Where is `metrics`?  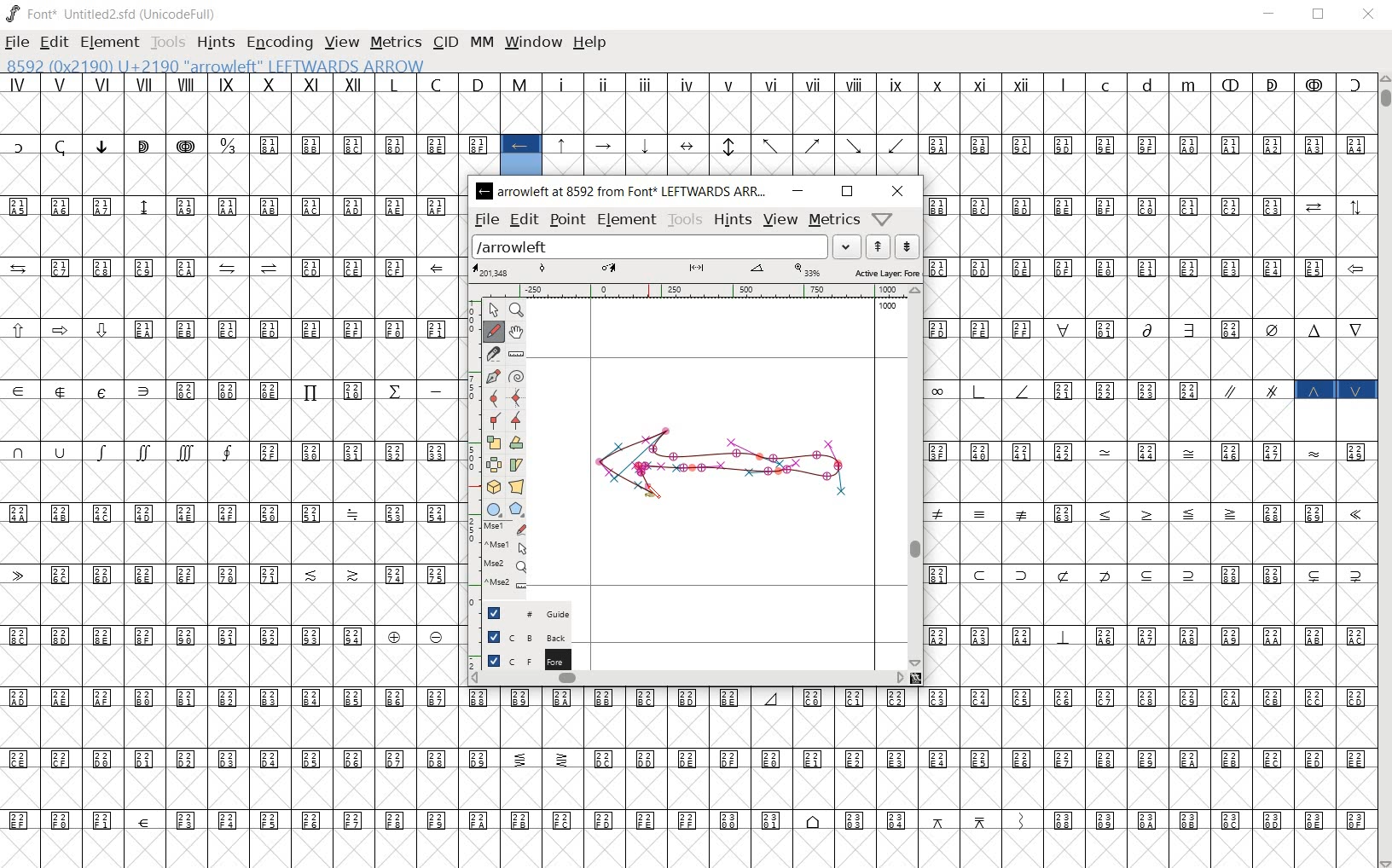 metrics is located at coordinates (832, 219).